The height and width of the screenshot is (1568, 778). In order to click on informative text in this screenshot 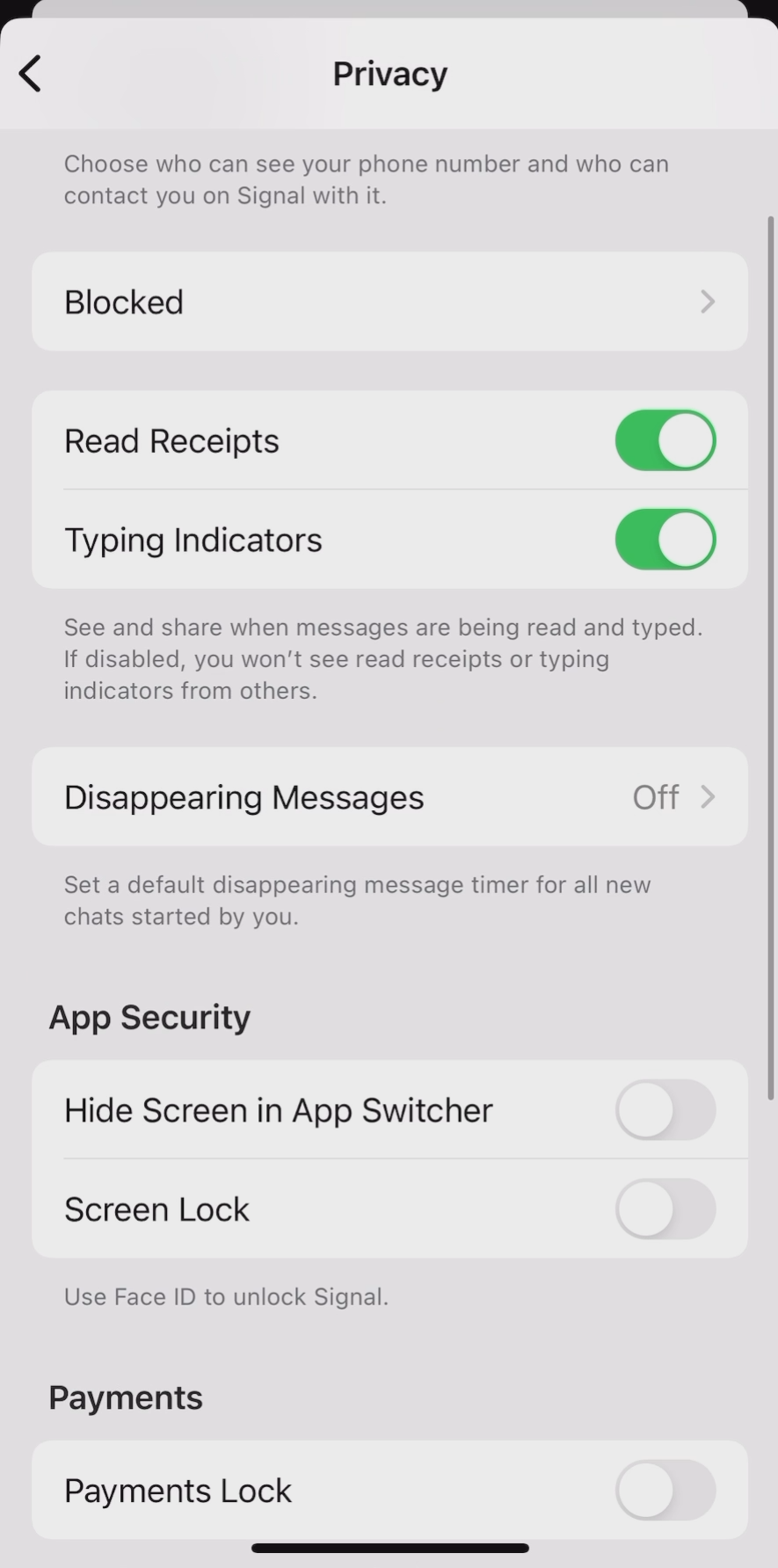, I will do `click(382, 184)`.